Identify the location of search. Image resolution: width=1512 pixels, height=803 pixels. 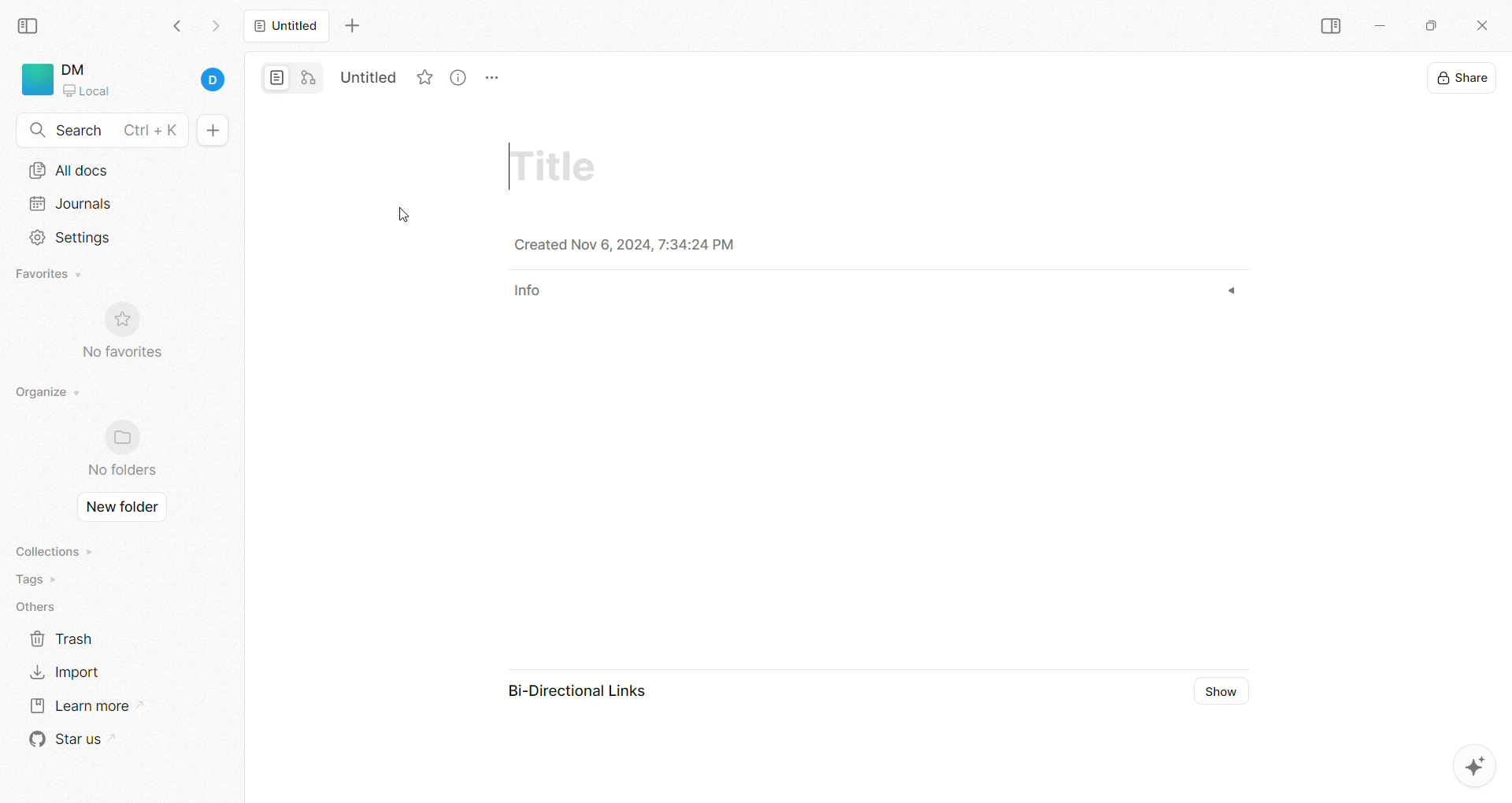
(102, 131).